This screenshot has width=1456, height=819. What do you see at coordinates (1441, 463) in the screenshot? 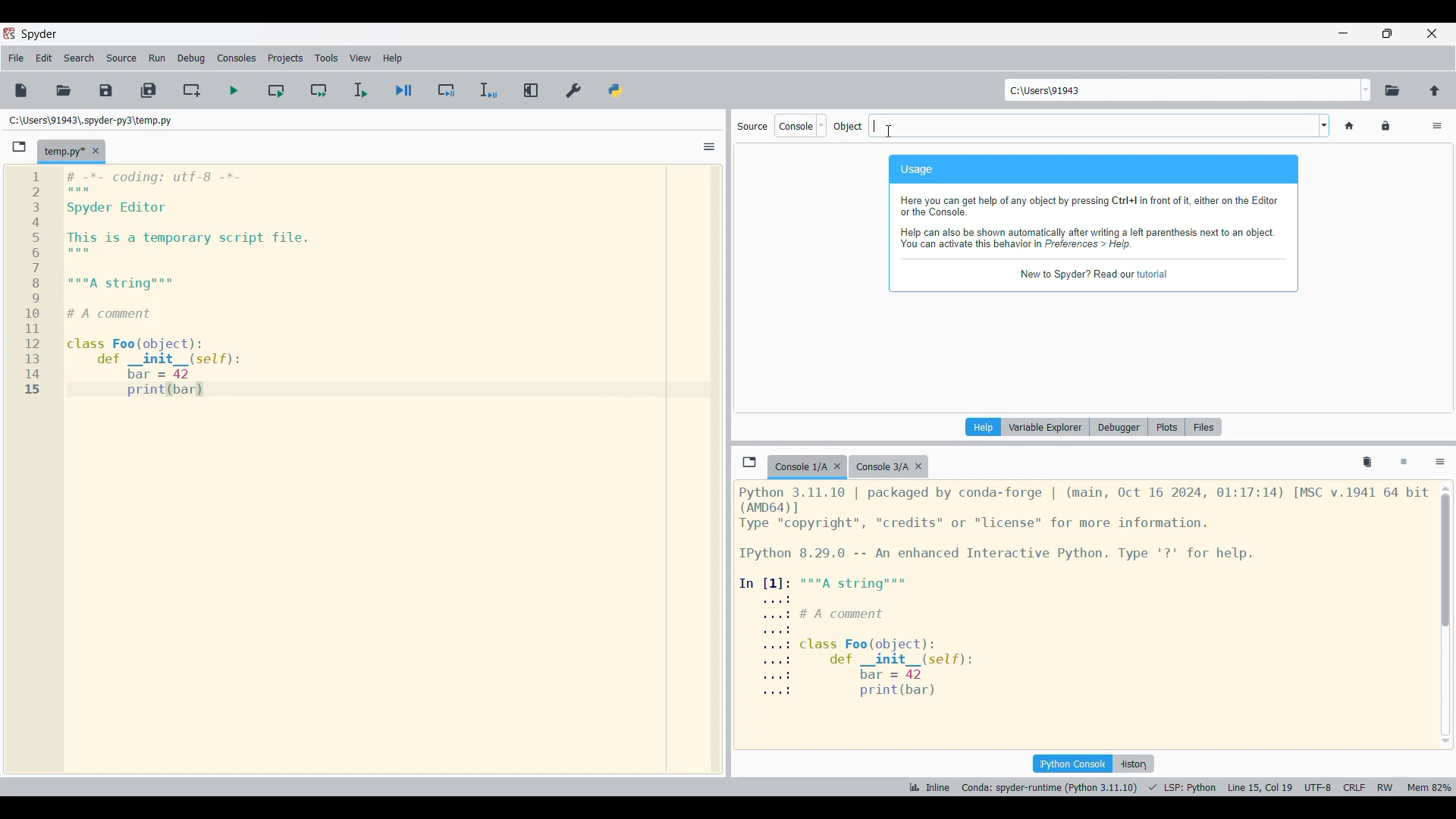
I see `Options` at bounding box center [1441, 463].